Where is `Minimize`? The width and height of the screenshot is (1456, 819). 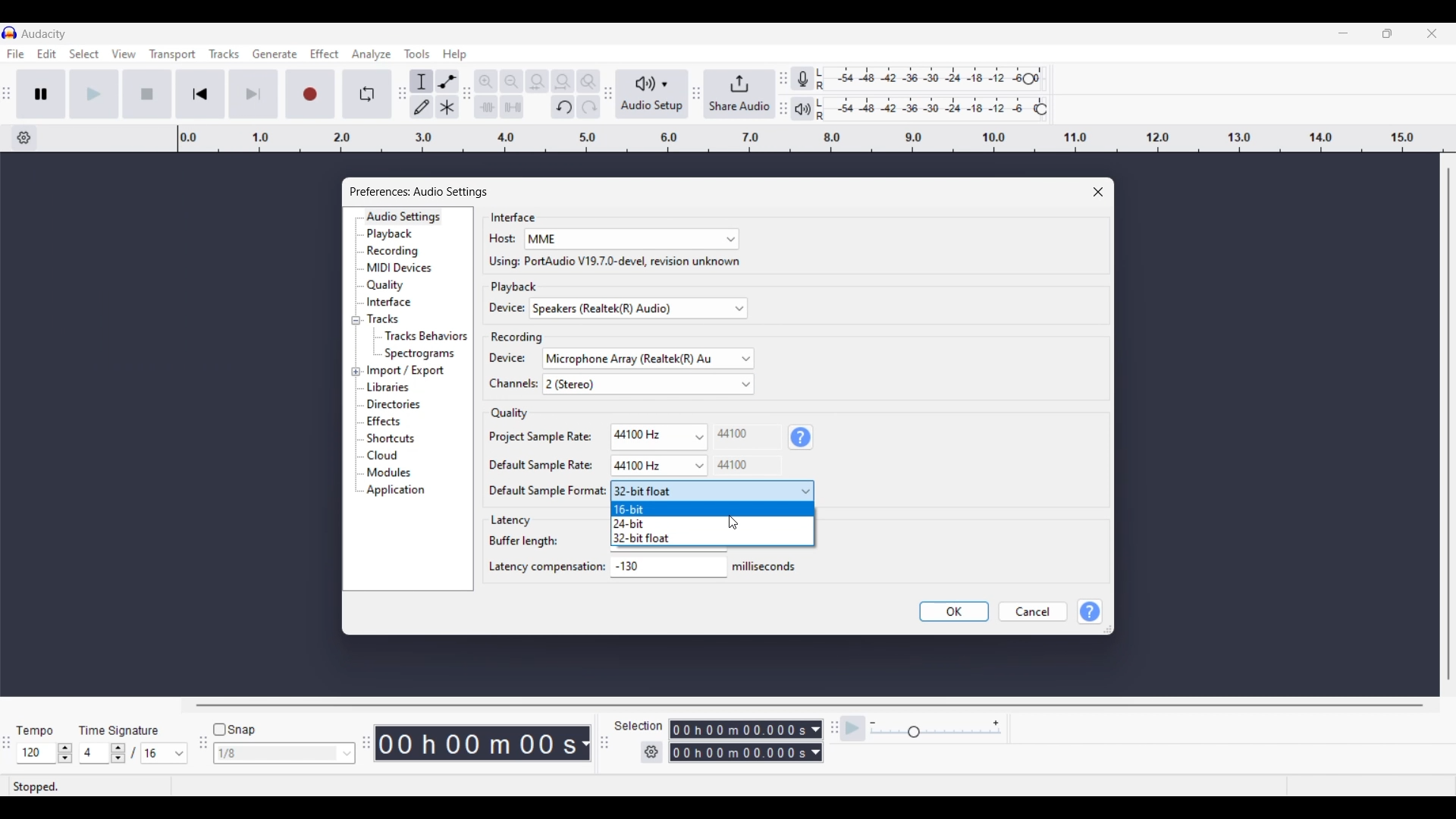 Minimize is located at coordinates (1343, 33).